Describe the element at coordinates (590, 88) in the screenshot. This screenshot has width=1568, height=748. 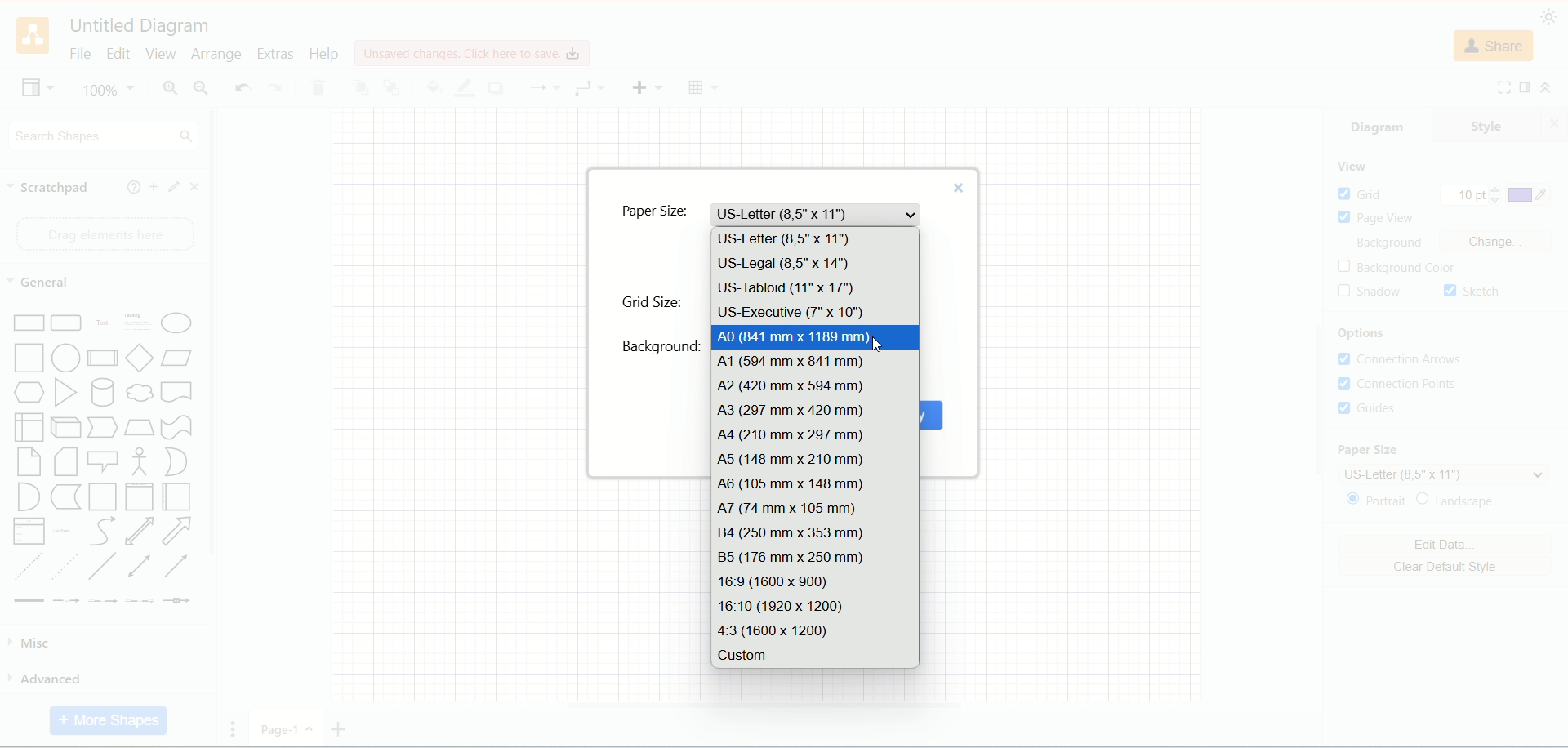
I see `connection` at that location.